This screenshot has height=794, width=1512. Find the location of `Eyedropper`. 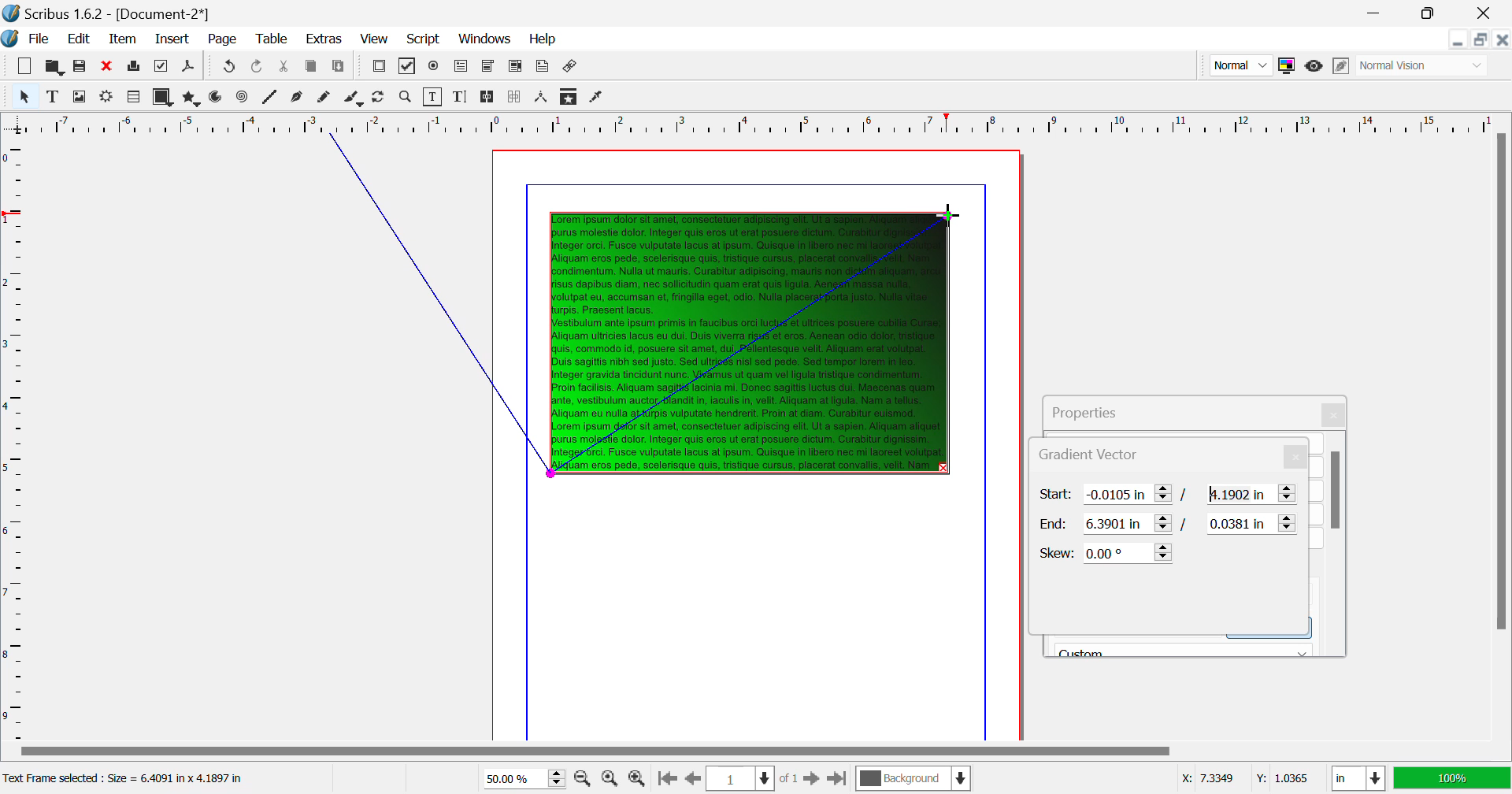

Eyedropper is located at coordinates (597, 98).